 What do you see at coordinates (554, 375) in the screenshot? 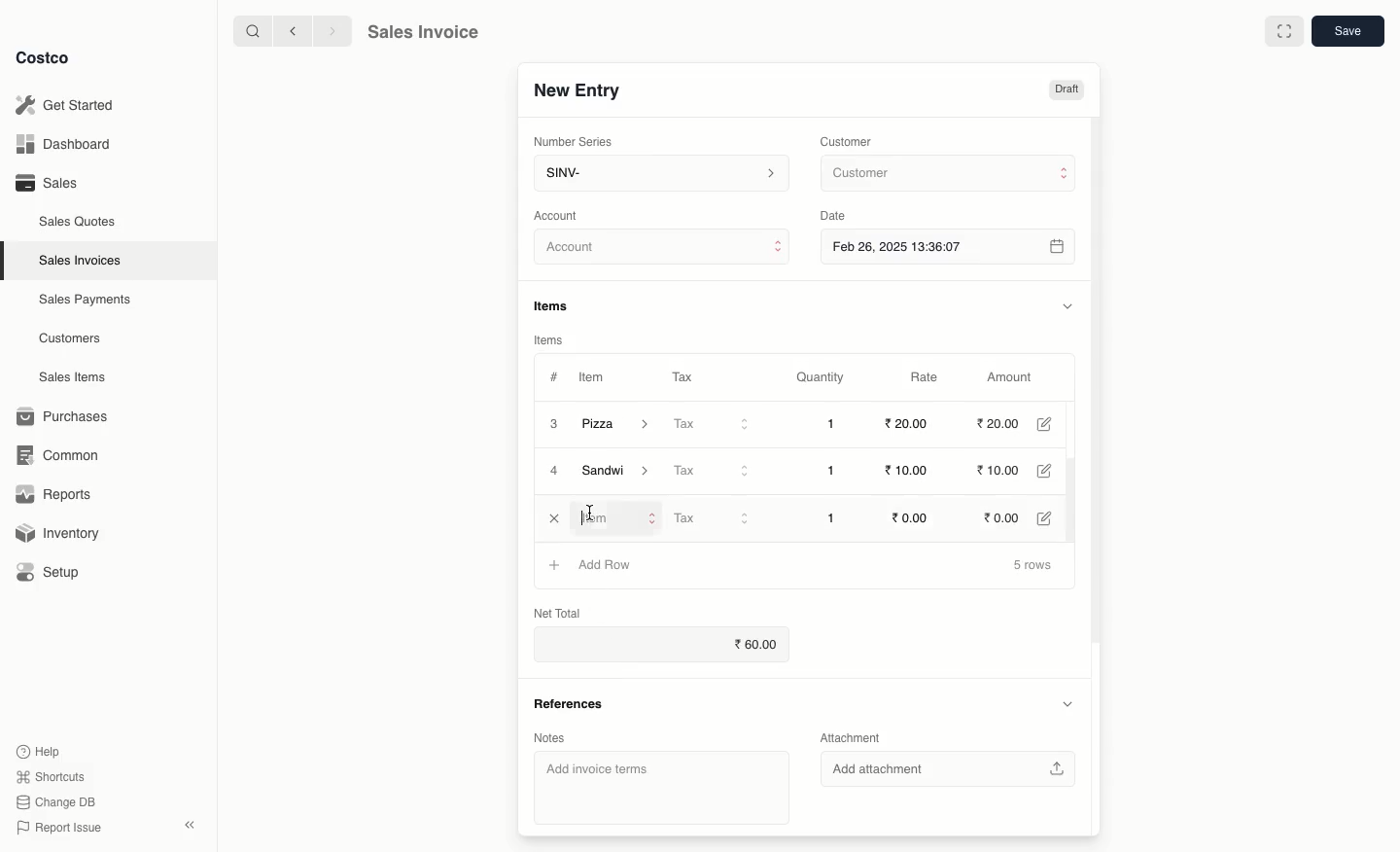
I see `#` at bounding box center [554, 375].